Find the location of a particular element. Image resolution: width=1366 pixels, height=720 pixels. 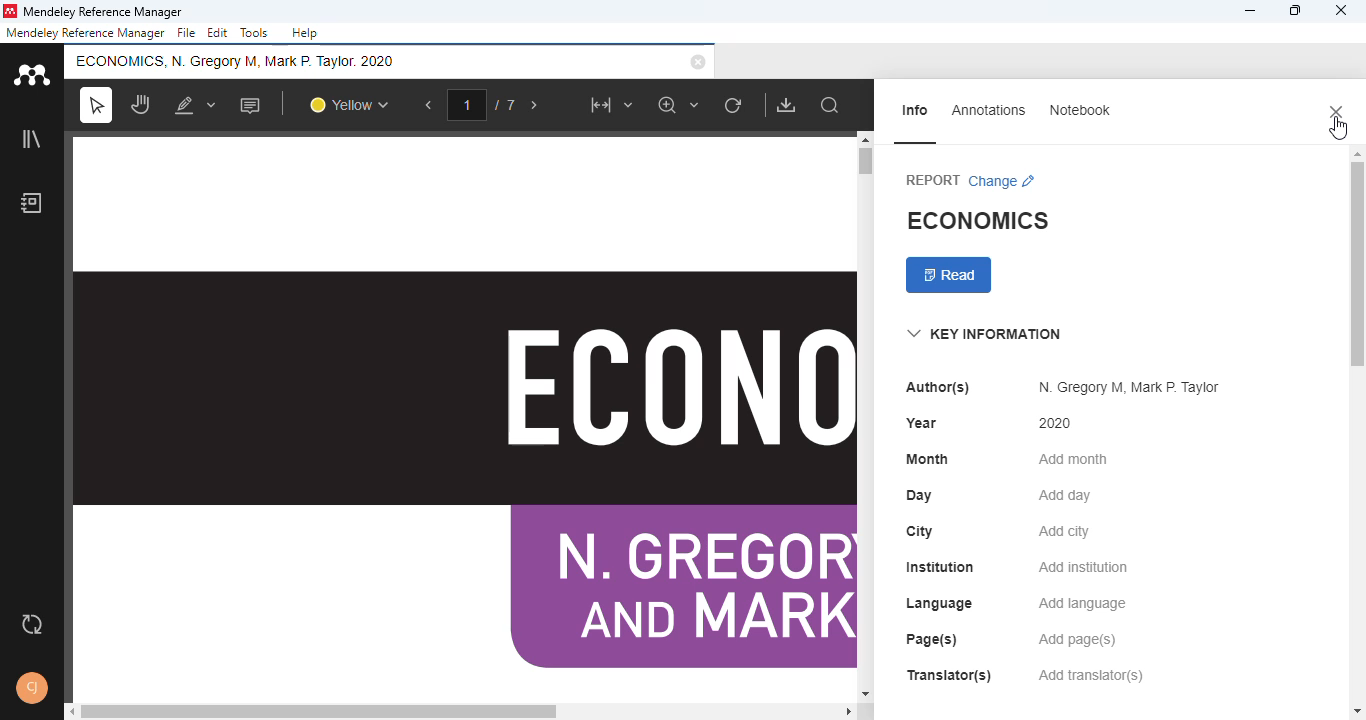

N. Gregory M, Mark P. Taylor is located at coordinates (1130, 388).